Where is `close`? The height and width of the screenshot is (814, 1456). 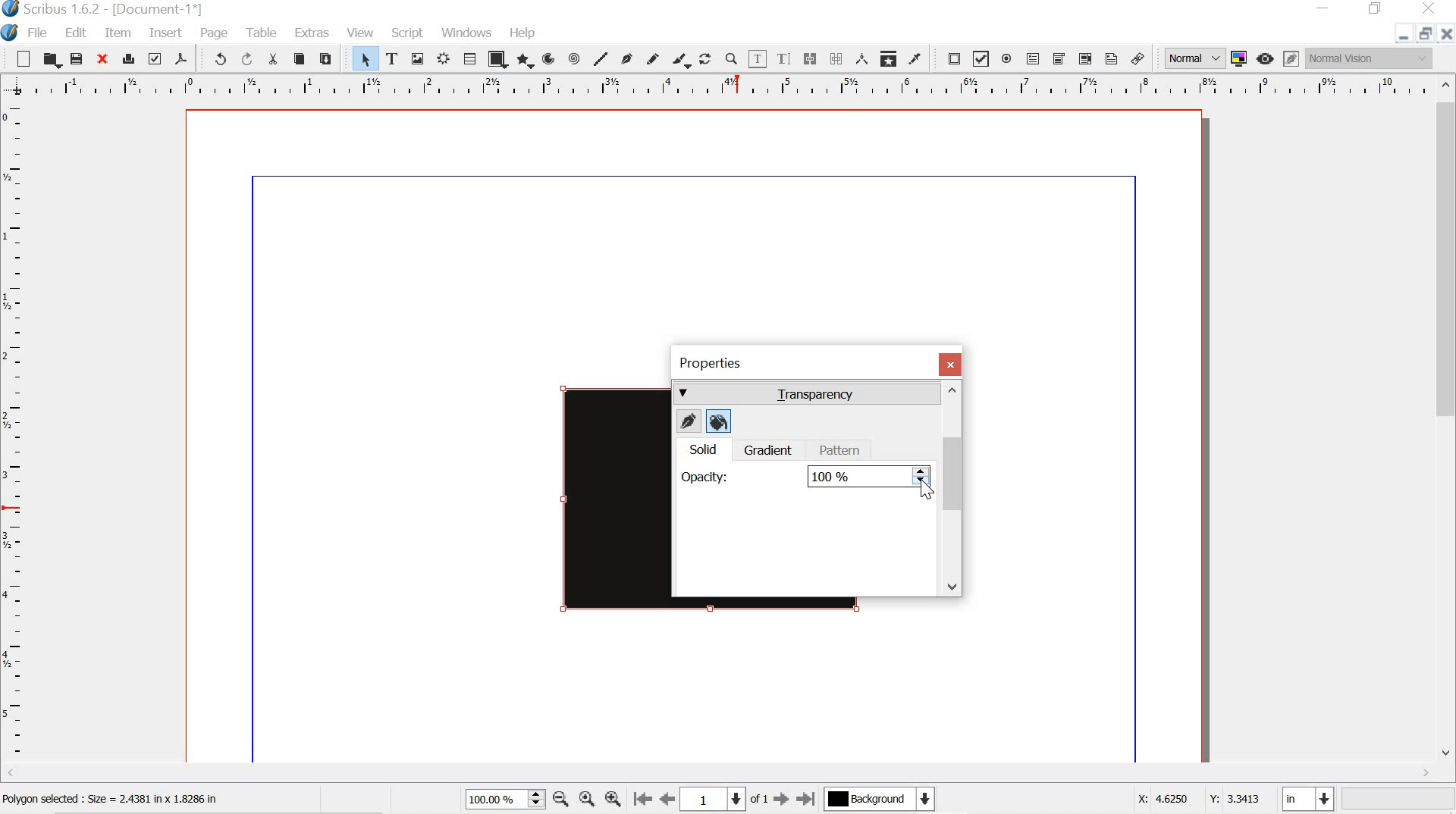 close is located at coordinates (1429, 9).